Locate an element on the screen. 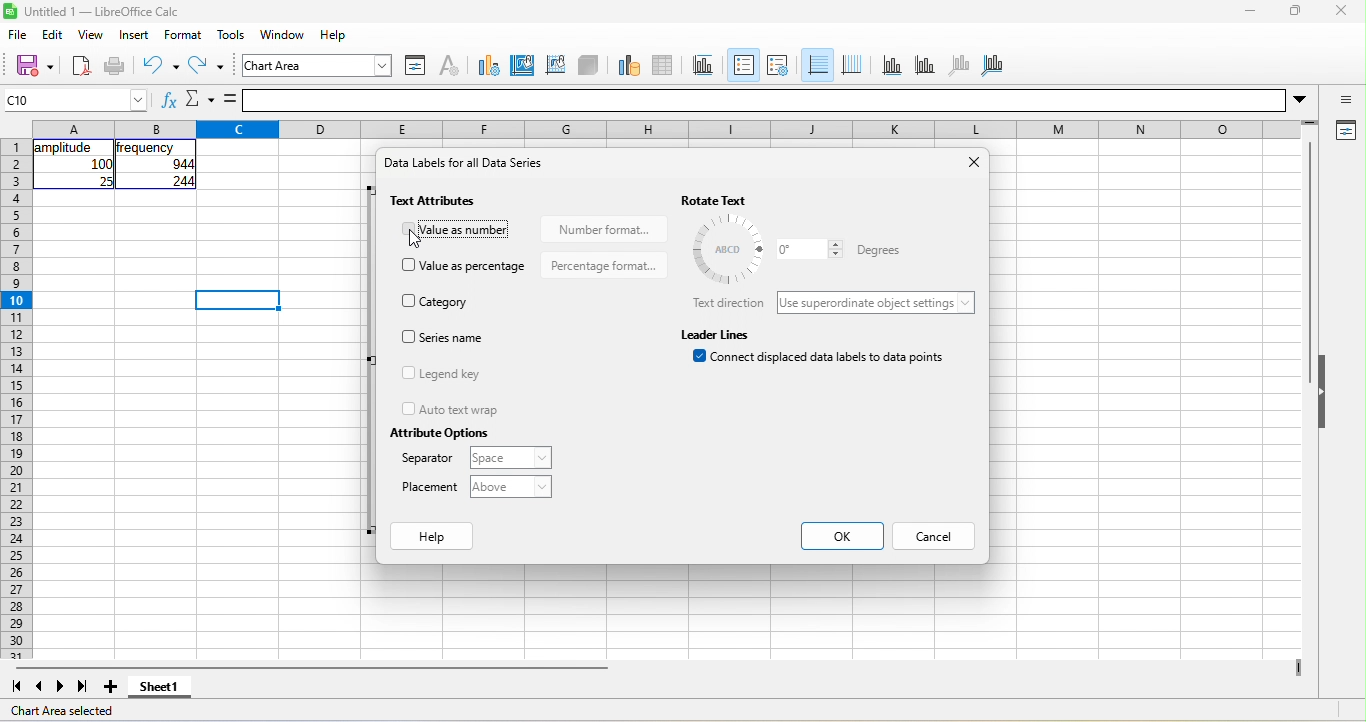  horizontal grids is located at coordinates (816, 66).